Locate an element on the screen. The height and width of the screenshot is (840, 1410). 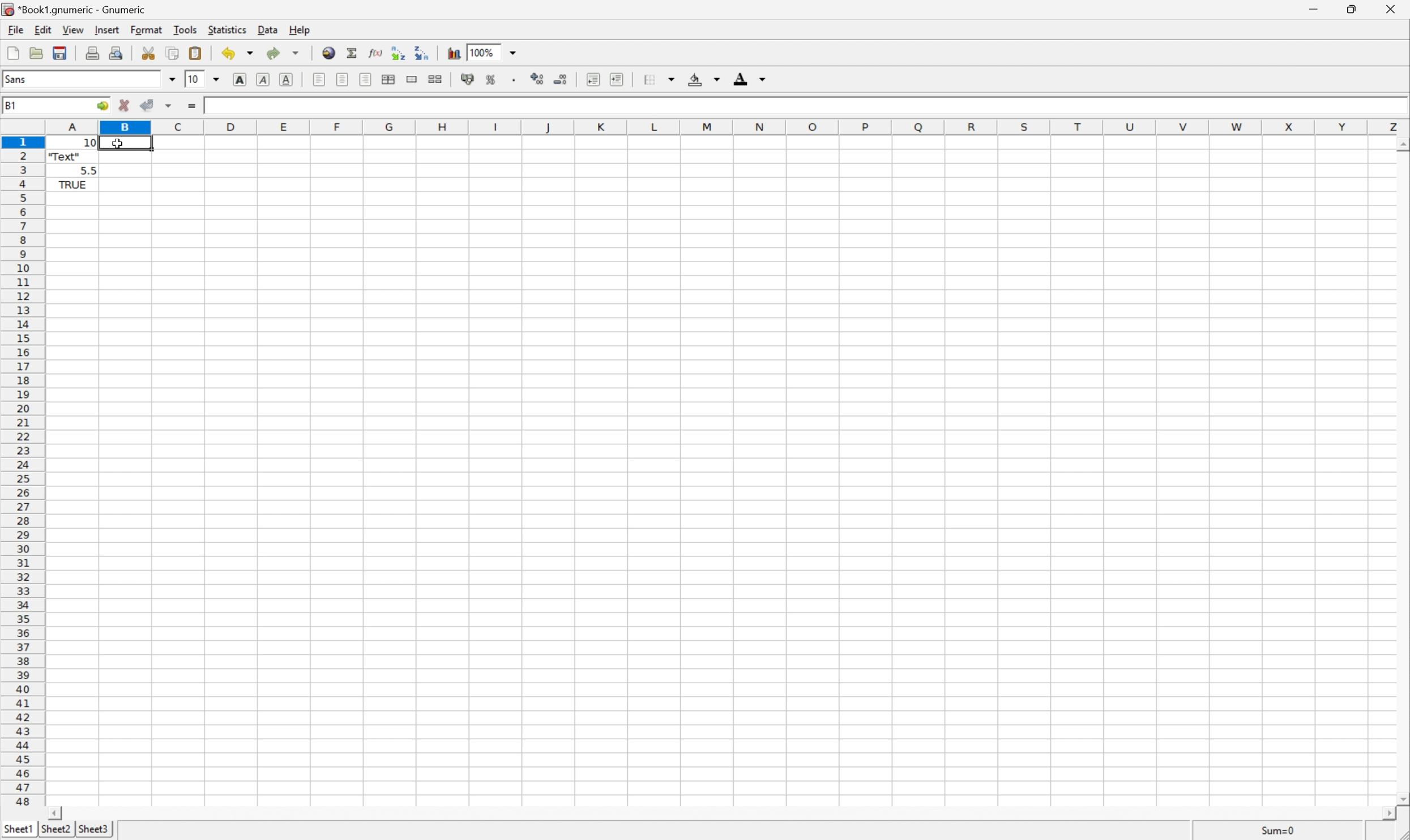
Merge a range of cells is located at coordinates (413, 79).